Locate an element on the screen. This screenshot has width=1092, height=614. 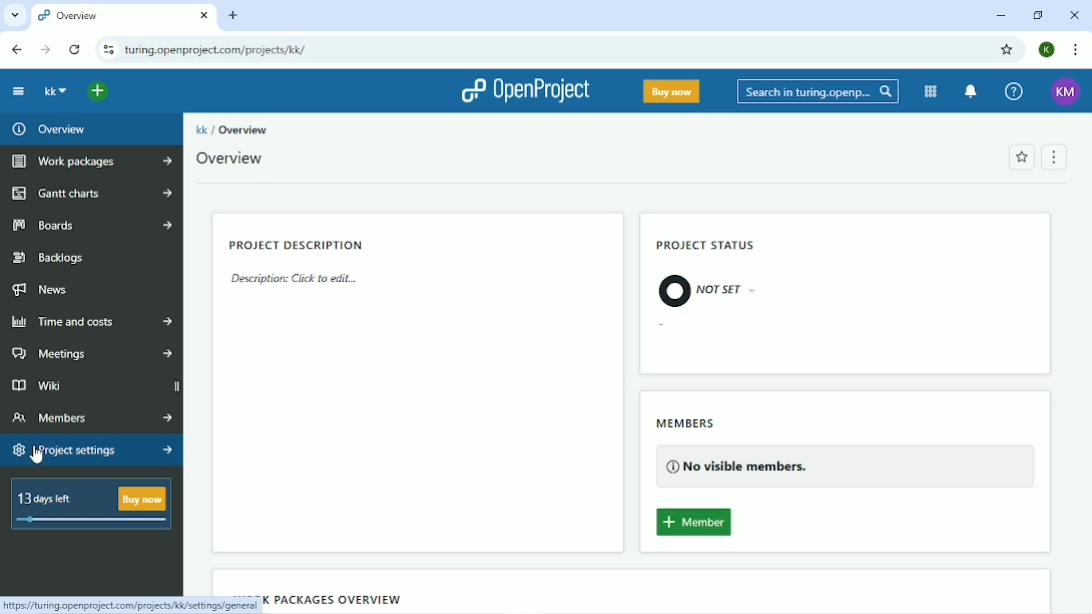
close is located at coordinates (203, 15).